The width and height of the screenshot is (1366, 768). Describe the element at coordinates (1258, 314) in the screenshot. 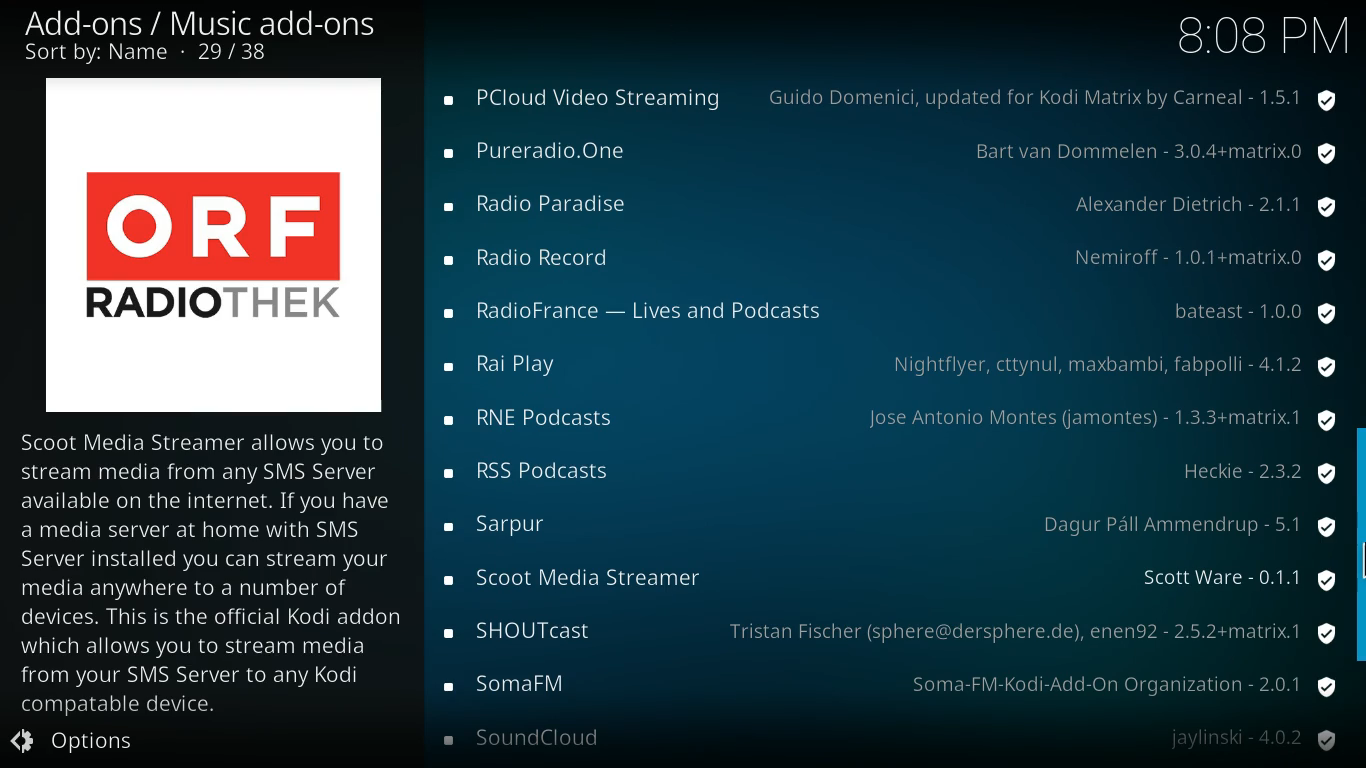

I see `provider` at that location.